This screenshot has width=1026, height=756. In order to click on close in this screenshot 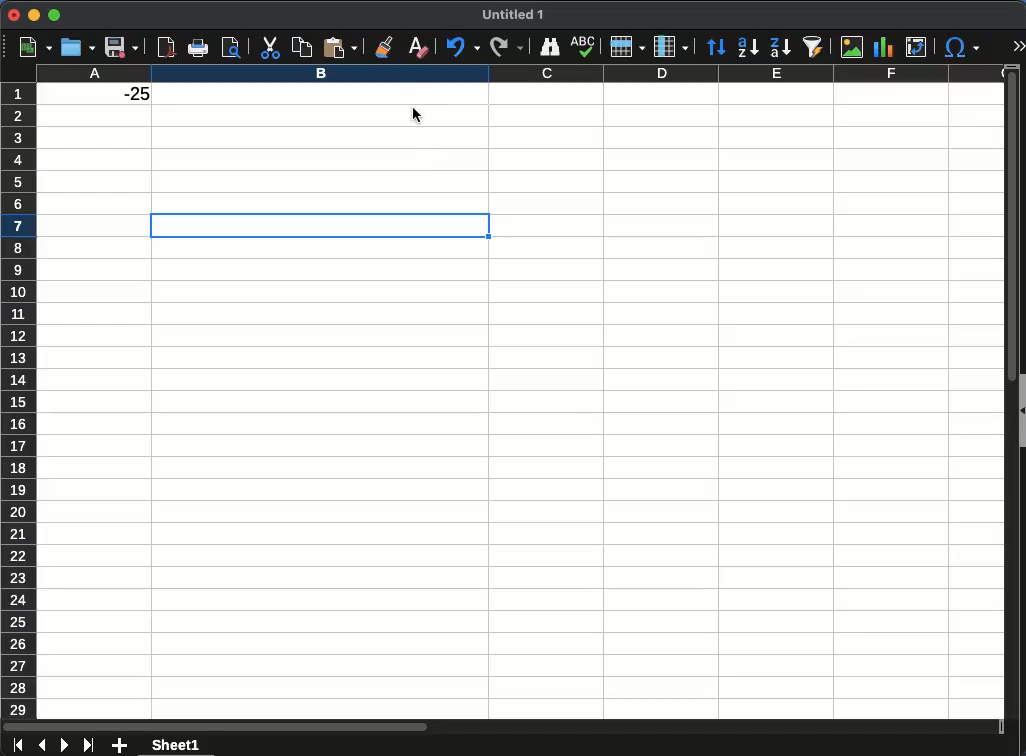, I will do `click(11, 15)`.